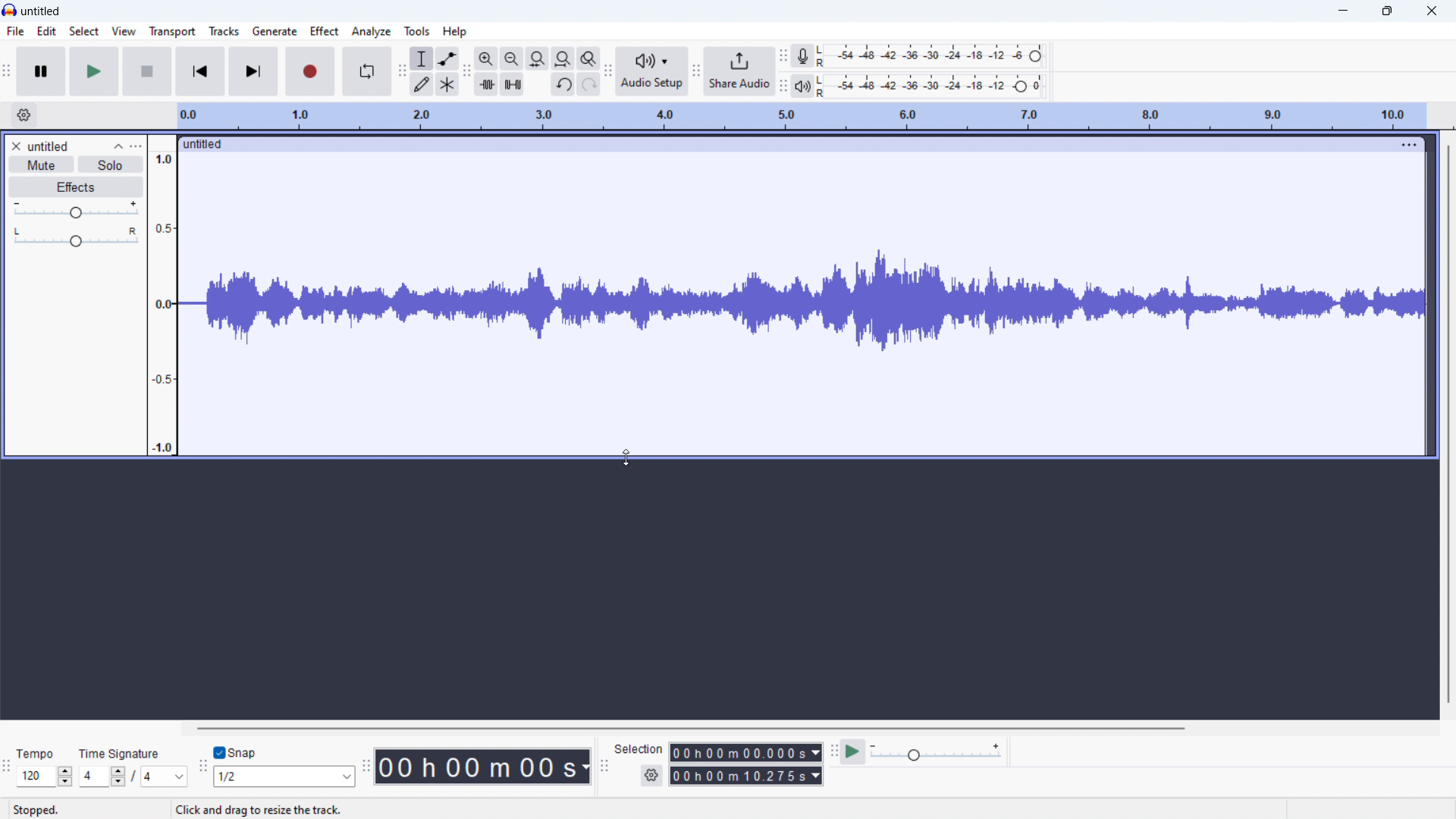  I want to click on timeline, so click(802, 116).